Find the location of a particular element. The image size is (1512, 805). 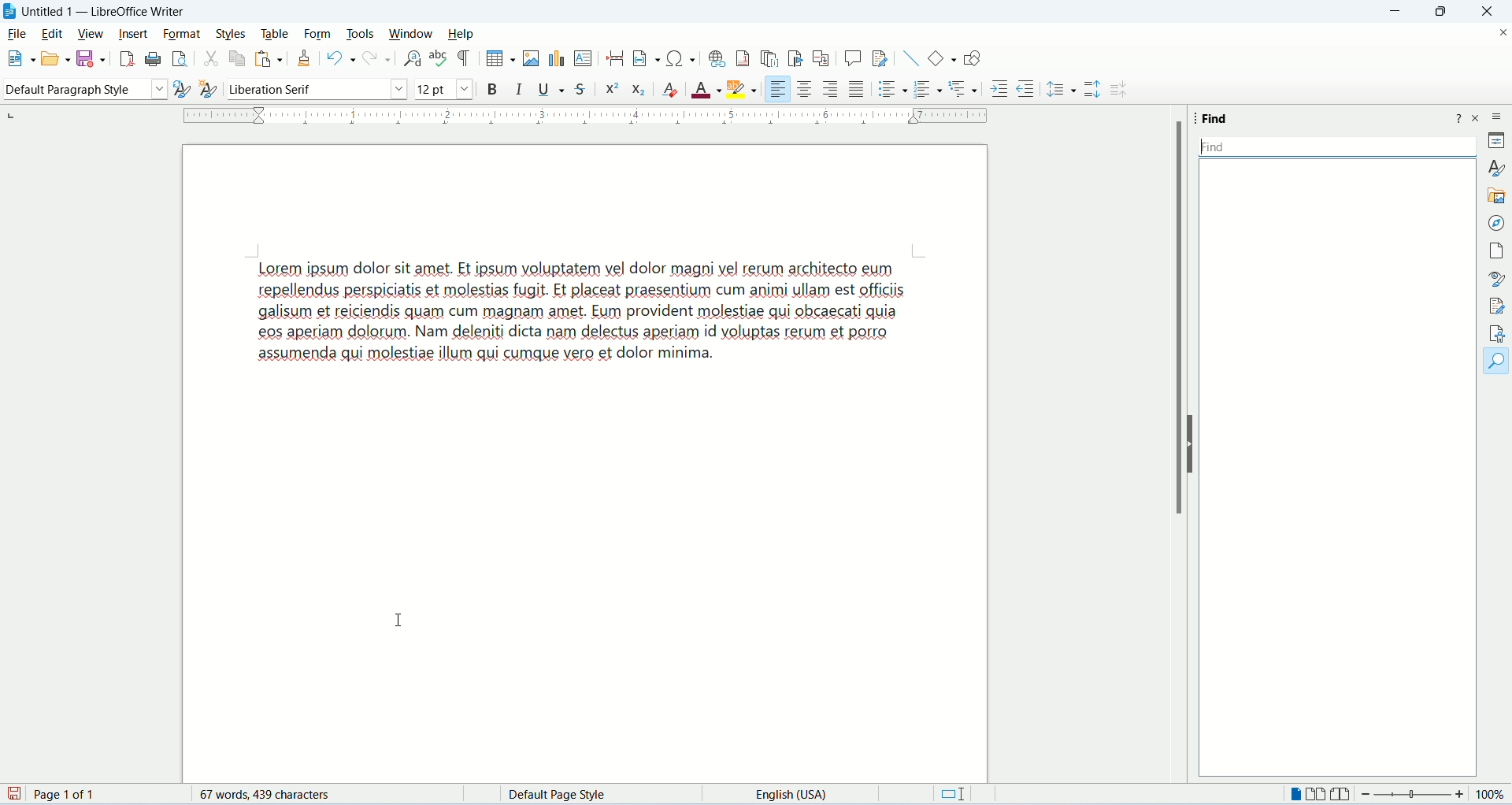

find is located at coordinates (1217, 121).